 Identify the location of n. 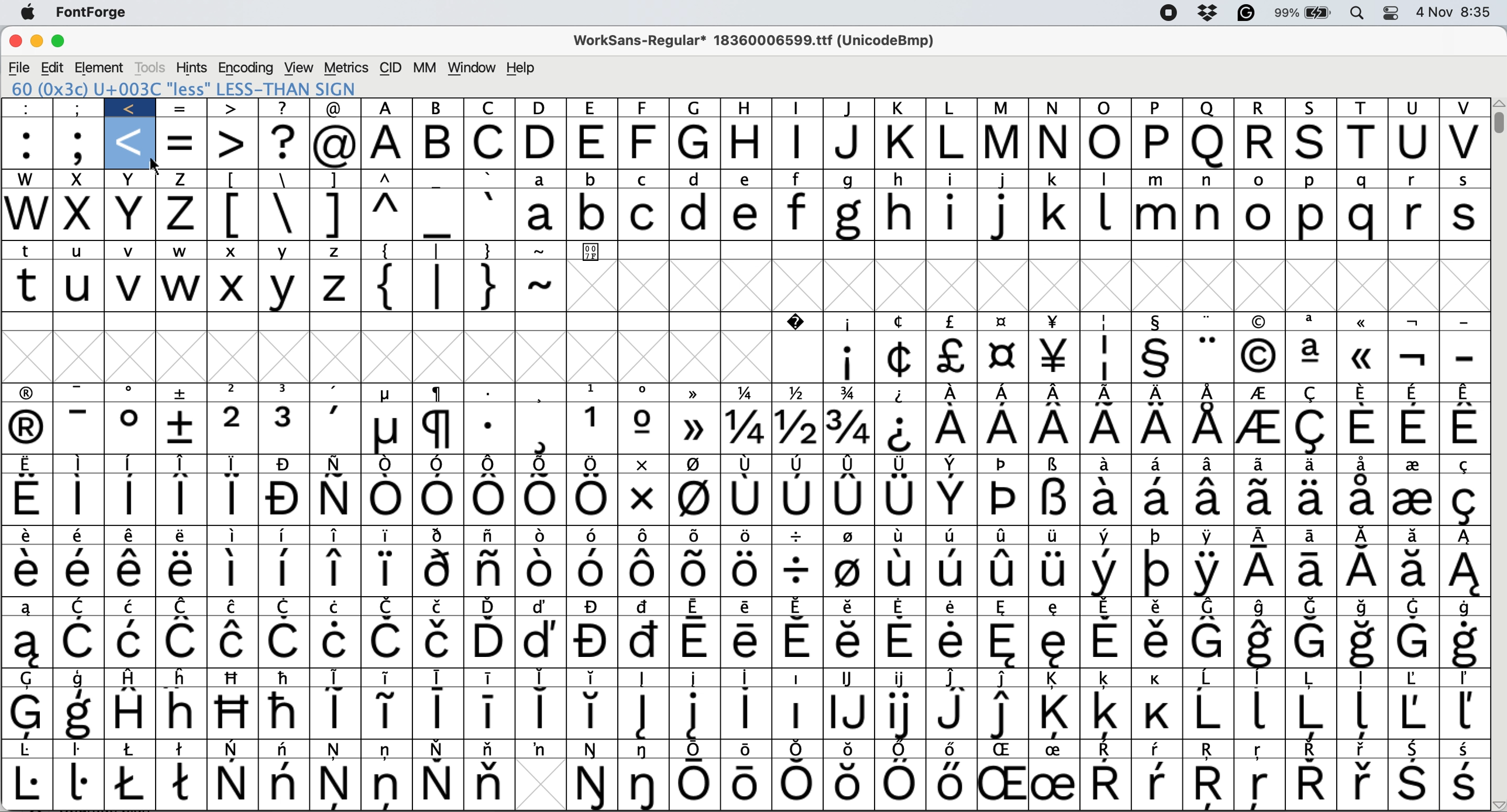
(1209, 180).